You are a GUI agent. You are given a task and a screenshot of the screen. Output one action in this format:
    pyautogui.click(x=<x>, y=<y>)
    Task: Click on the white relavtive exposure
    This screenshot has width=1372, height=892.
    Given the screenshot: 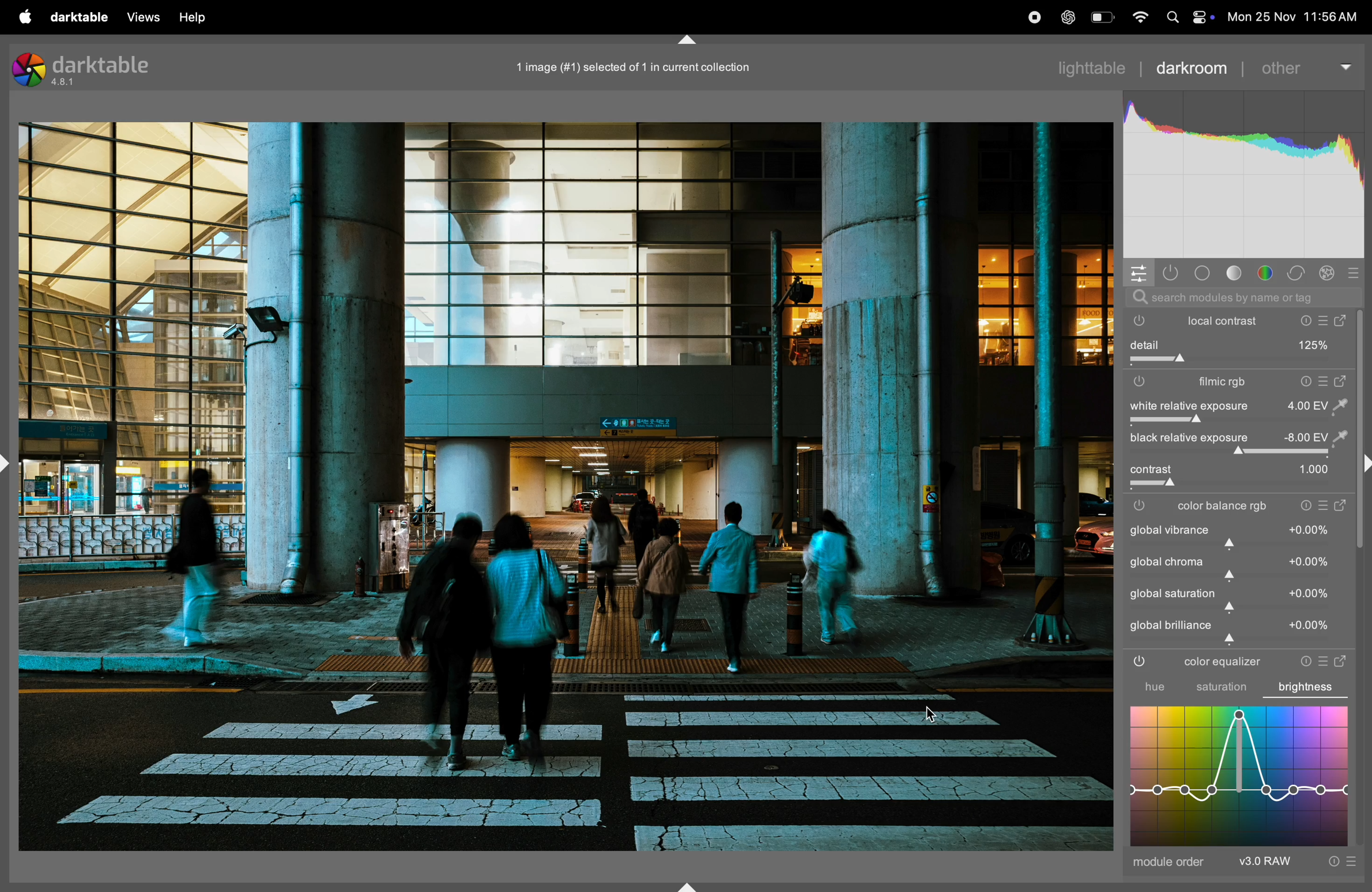 What is the action you would take?
    pyautogui.click(x=1186, y=406)
    